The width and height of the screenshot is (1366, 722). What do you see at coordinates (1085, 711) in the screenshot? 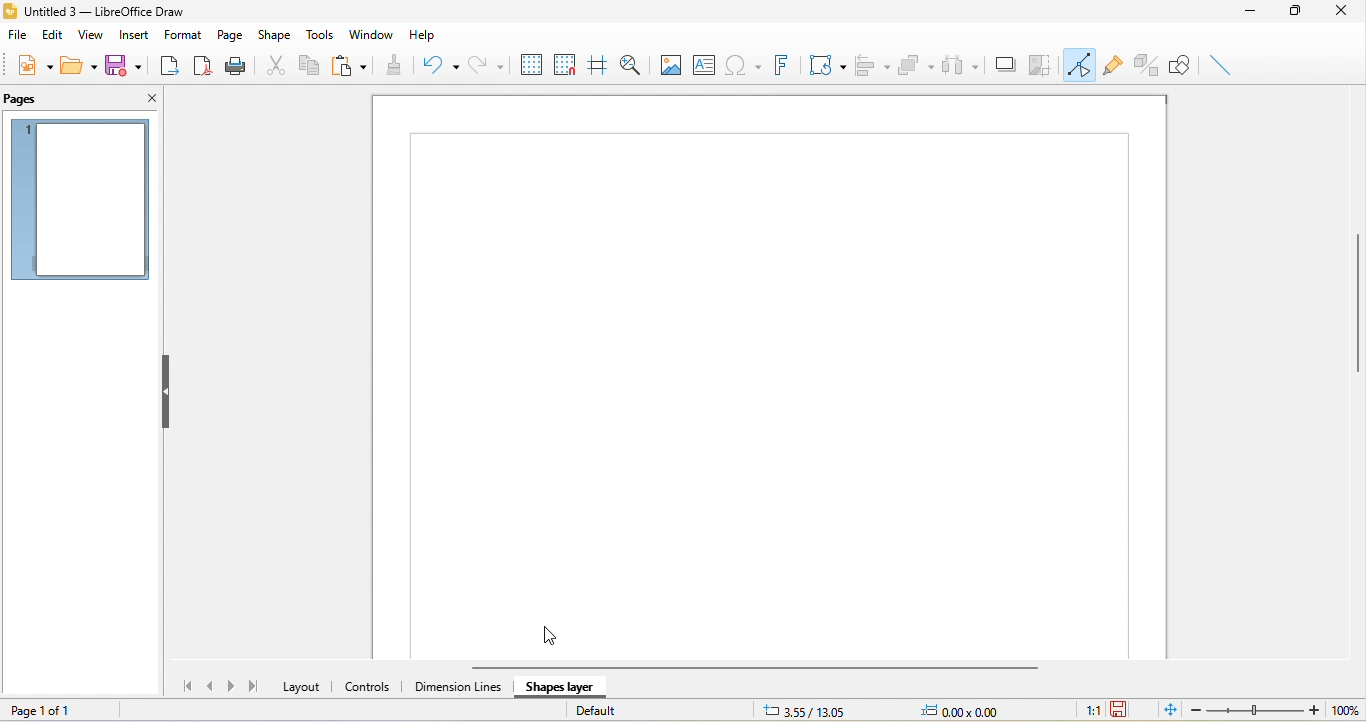
I see `1:1` at bounding box center [1085, 711].